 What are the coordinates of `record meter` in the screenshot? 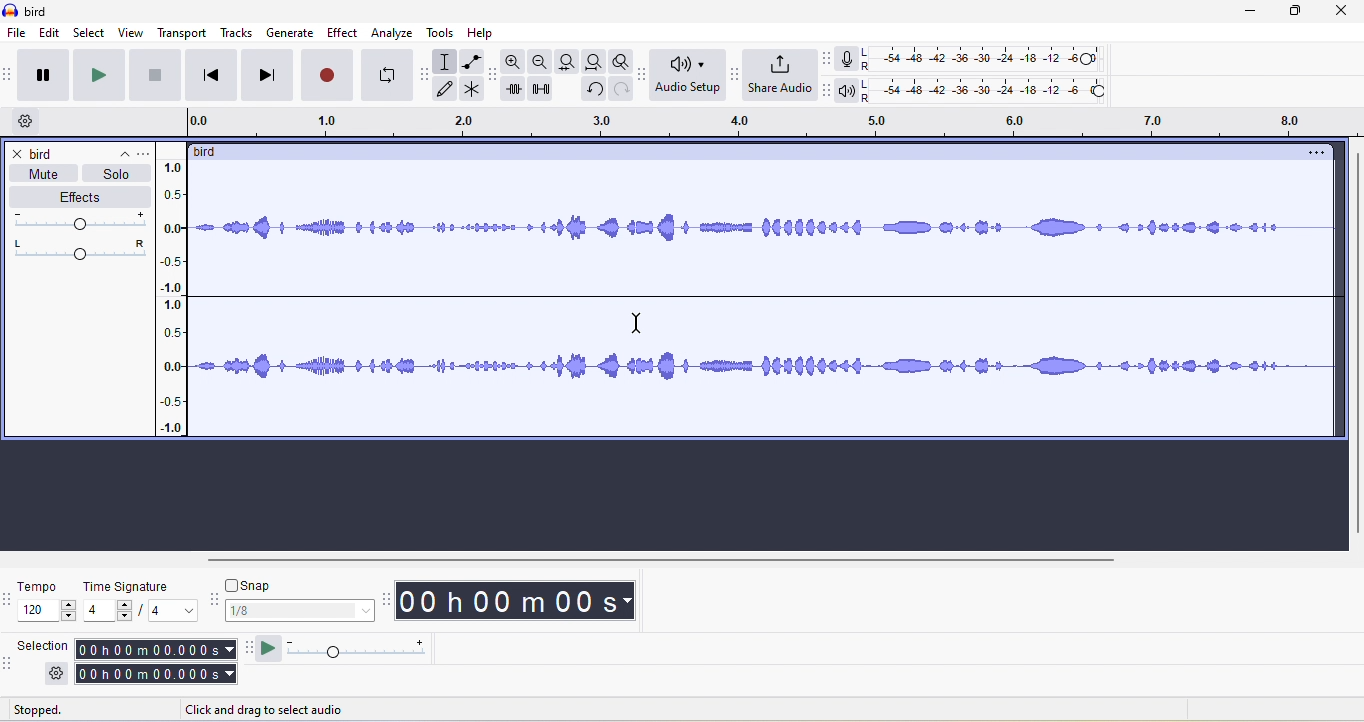 It's located at (847, 59).